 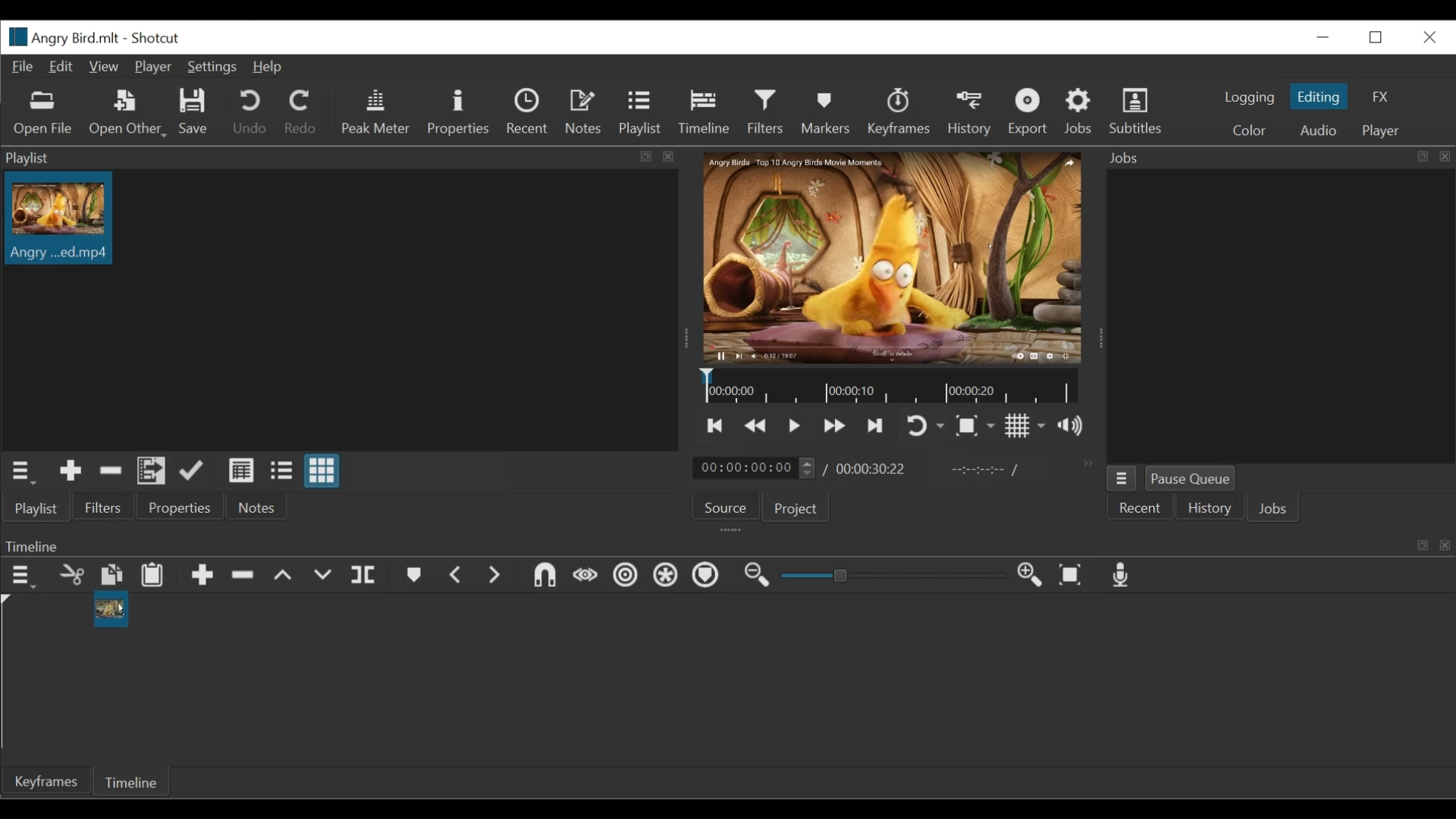 What do you see at coordinates (210, 67) in the screenshot?
I see `Settings` at bounding box center [210, 67].